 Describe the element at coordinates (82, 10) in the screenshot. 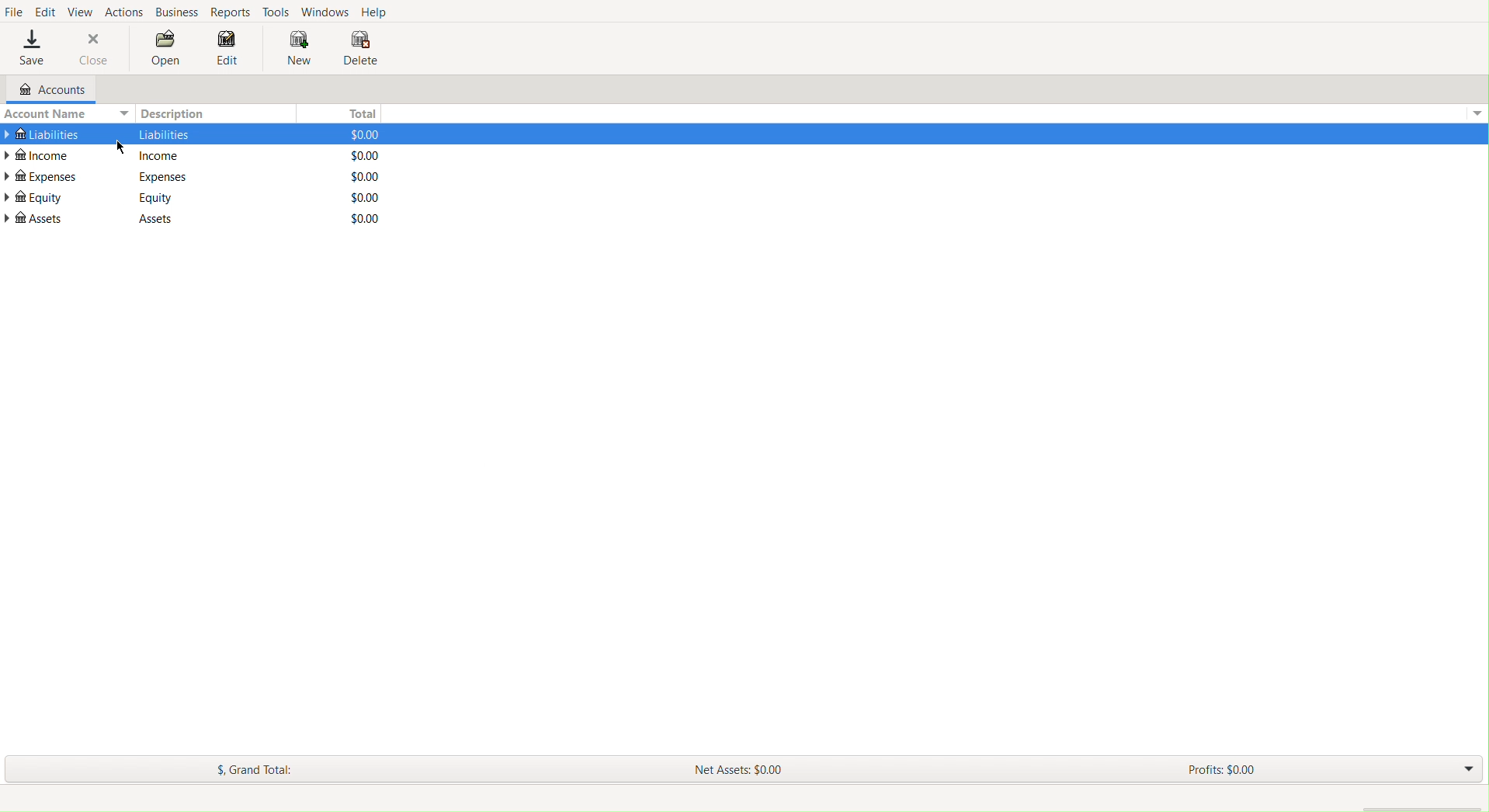

I see `View` at that location.